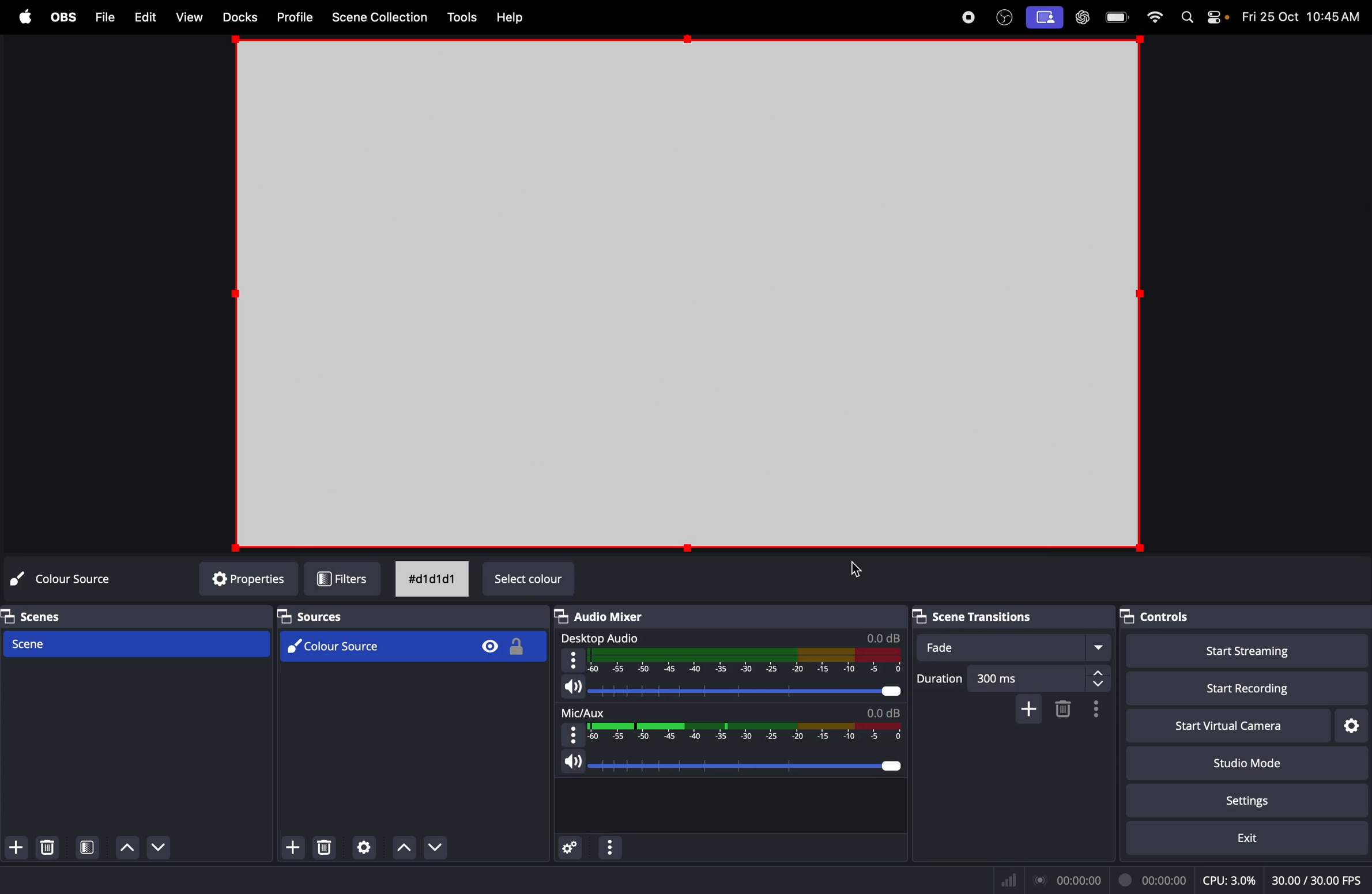 This screenshot has width=1372, height=894. Describe the element at coordinates (145, 16) in the screenshot. I see `Edit` at that location.